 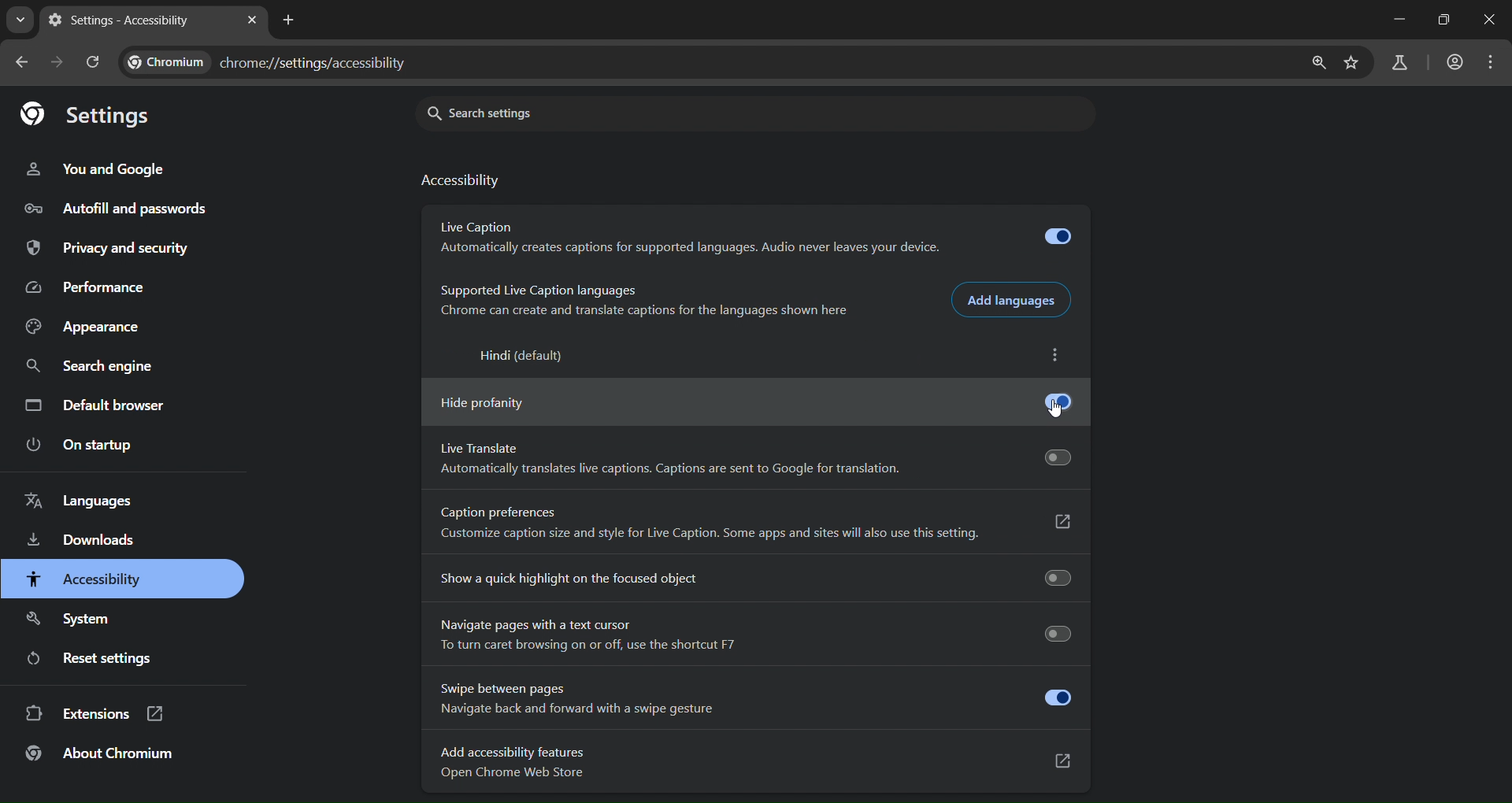 What do you see at coordinates (543, 113) in the screenshot?
I see `search settings` at bounding box center [543, 113].